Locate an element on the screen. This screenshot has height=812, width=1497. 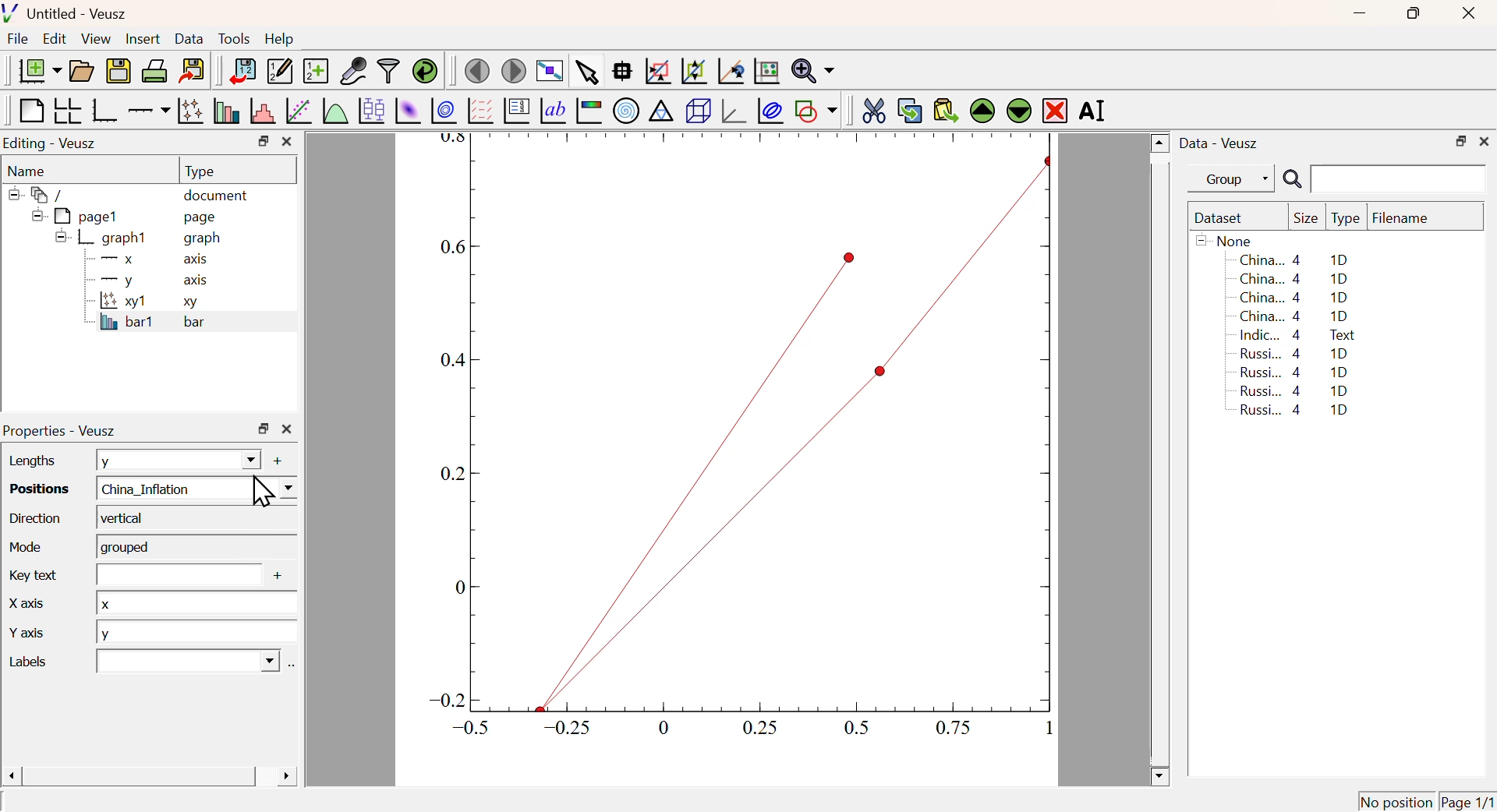
Y axis is located at coordinates (34, 634).